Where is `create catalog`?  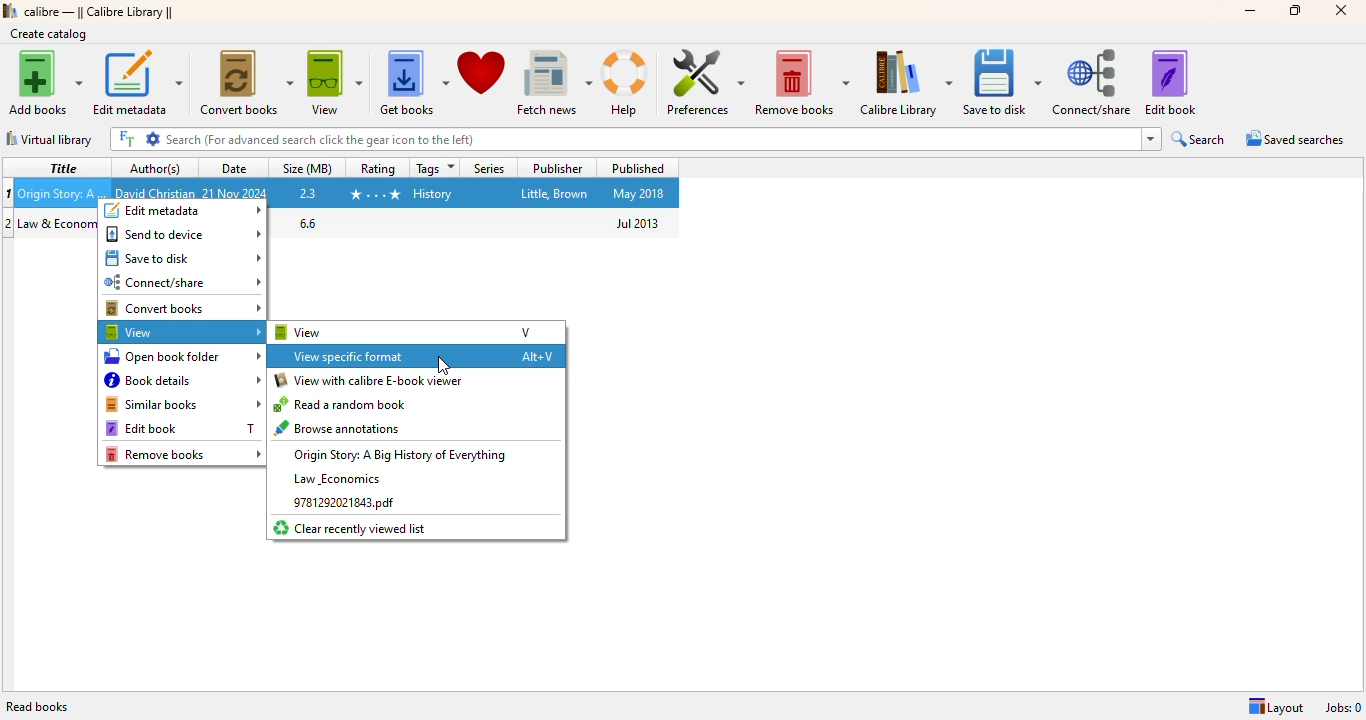 create catalog is located at coordinates (49, 34).